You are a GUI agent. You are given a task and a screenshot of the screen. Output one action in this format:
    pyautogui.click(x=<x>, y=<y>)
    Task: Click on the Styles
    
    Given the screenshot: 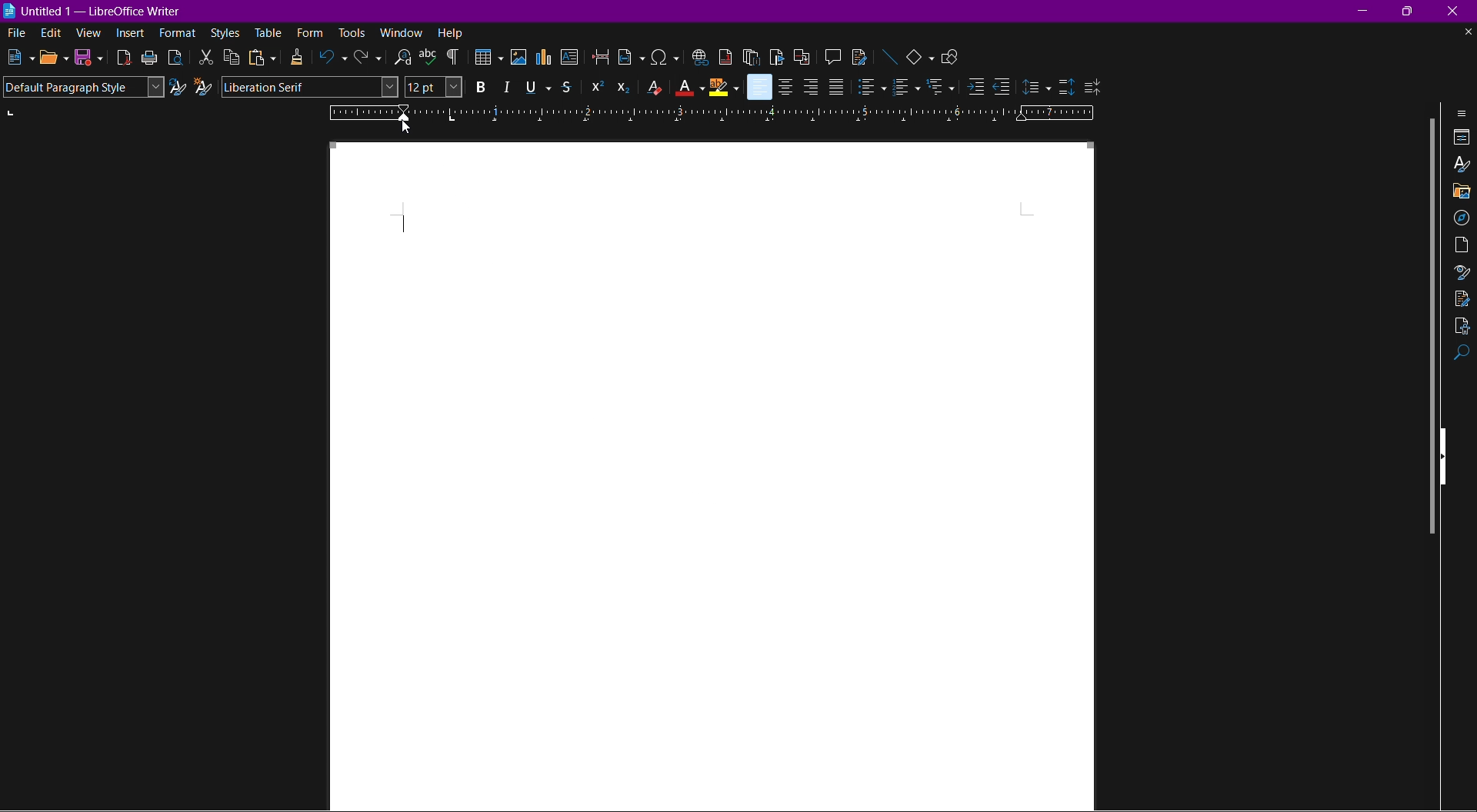 What is the action you would take?
    pyautogui.click(x=1462, y=166)
    